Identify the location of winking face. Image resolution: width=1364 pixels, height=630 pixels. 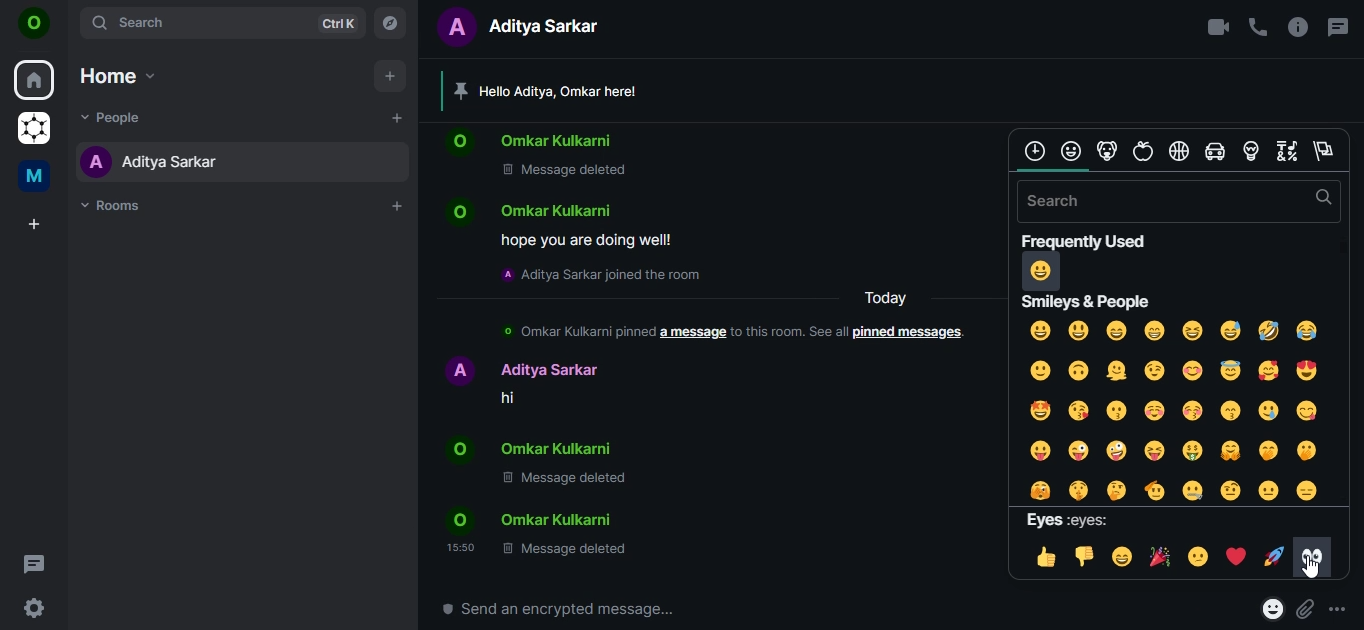
(1154, 370).